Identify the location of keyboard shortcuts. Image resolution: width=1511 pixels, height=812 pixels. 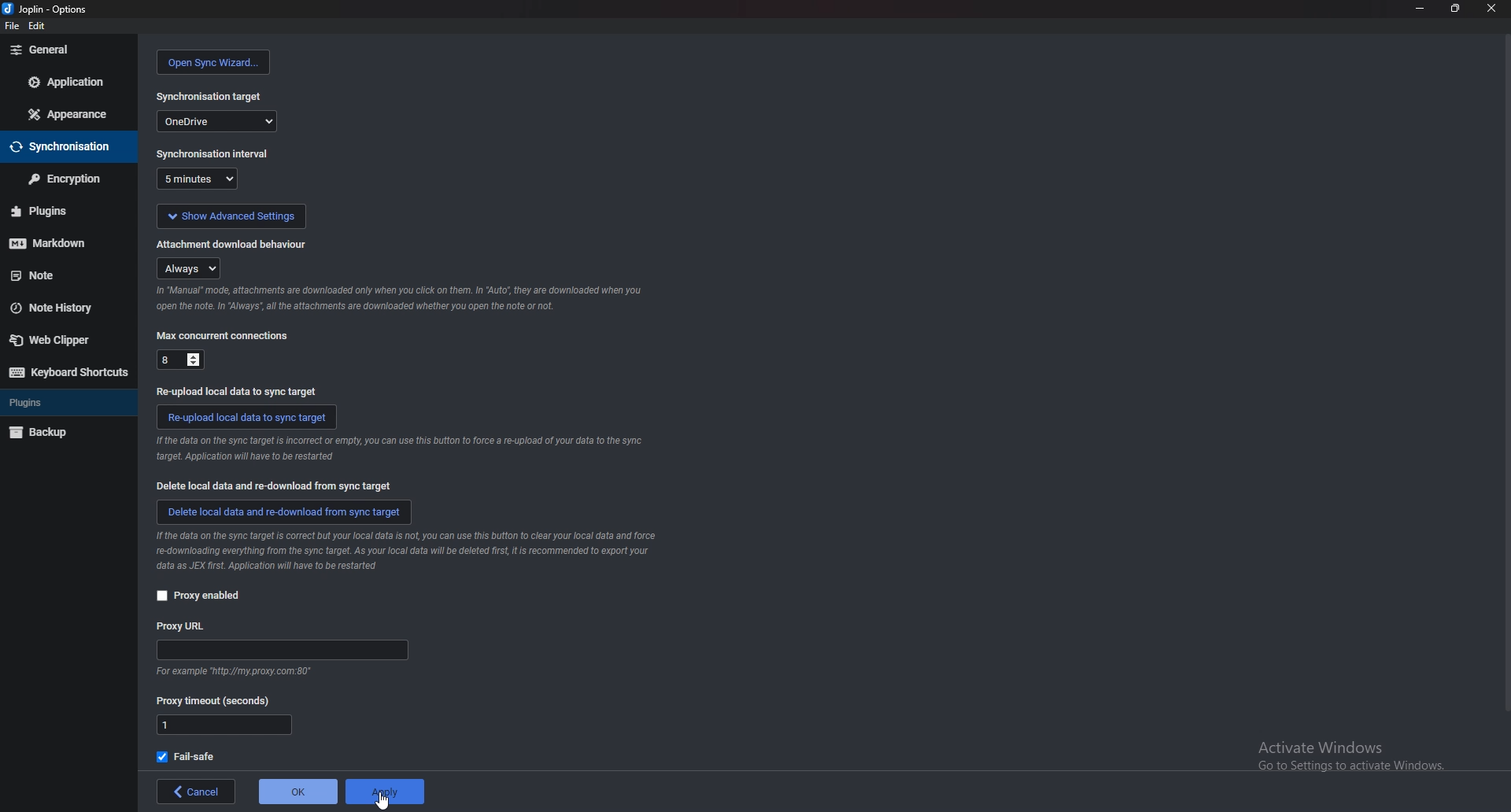
(67, 372).